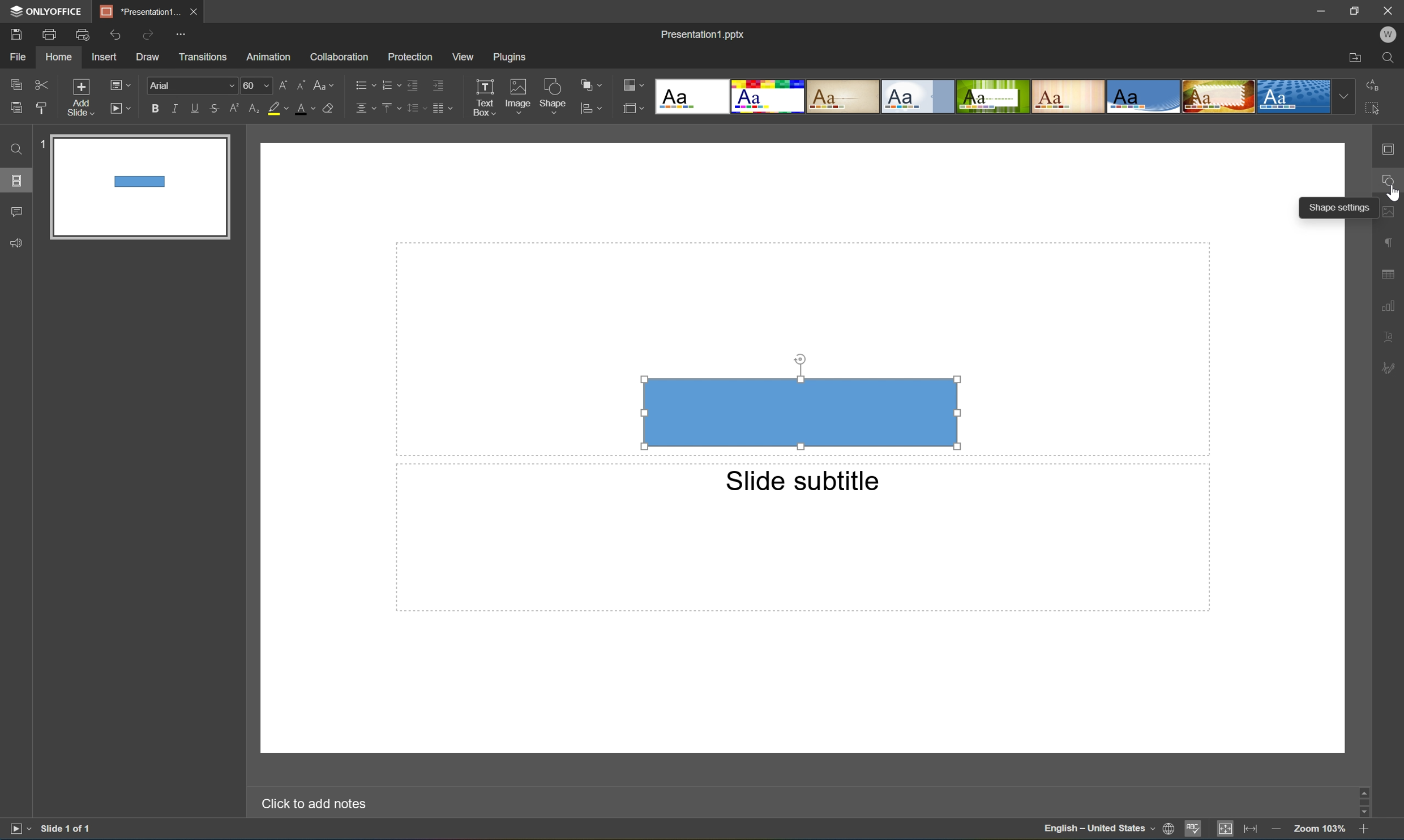  I want to click on Change case, so click(327, 85).